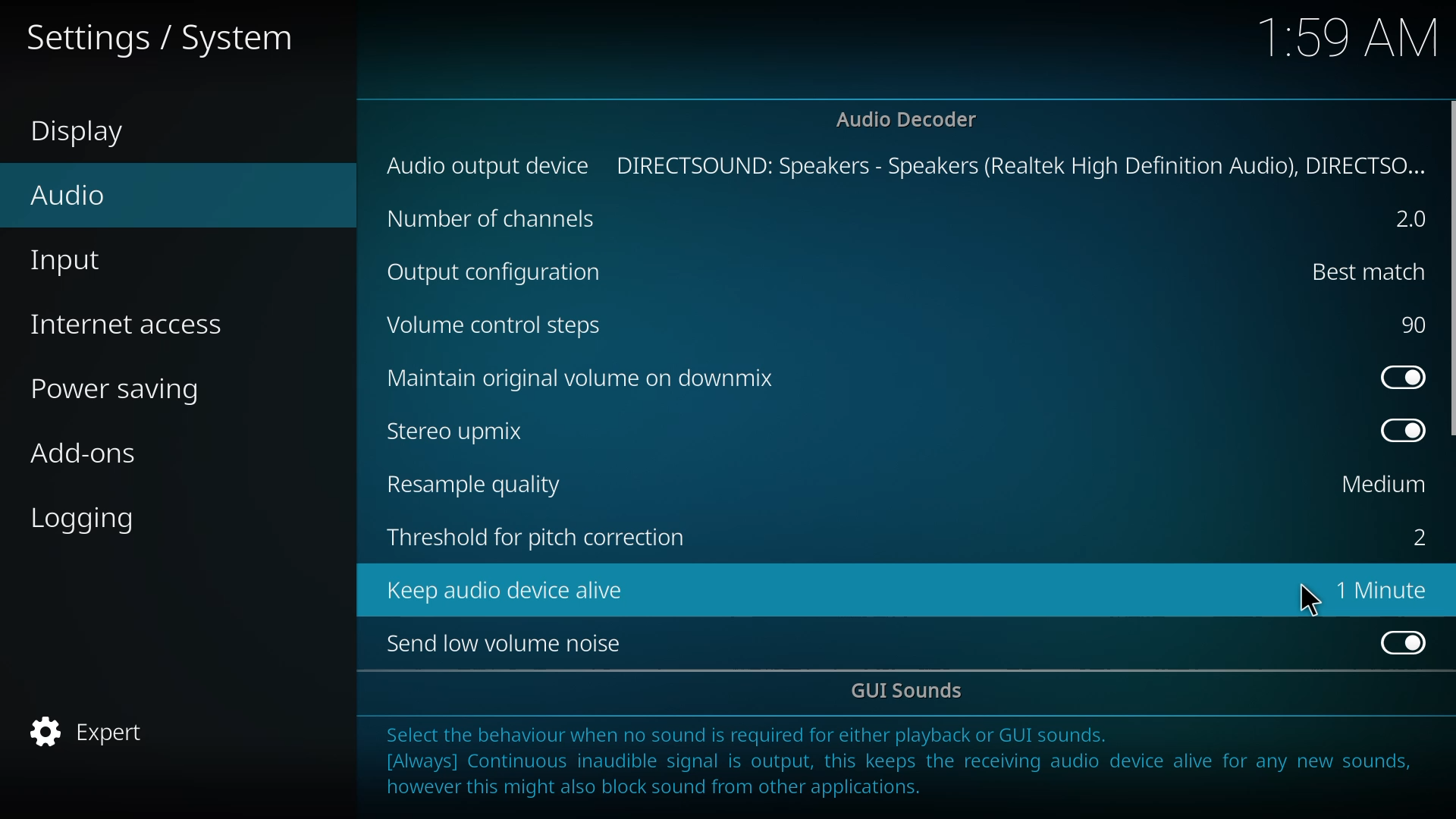  Describe the element at coordinates (489, 165) in the screenshot. I see `audio output device` at that location.